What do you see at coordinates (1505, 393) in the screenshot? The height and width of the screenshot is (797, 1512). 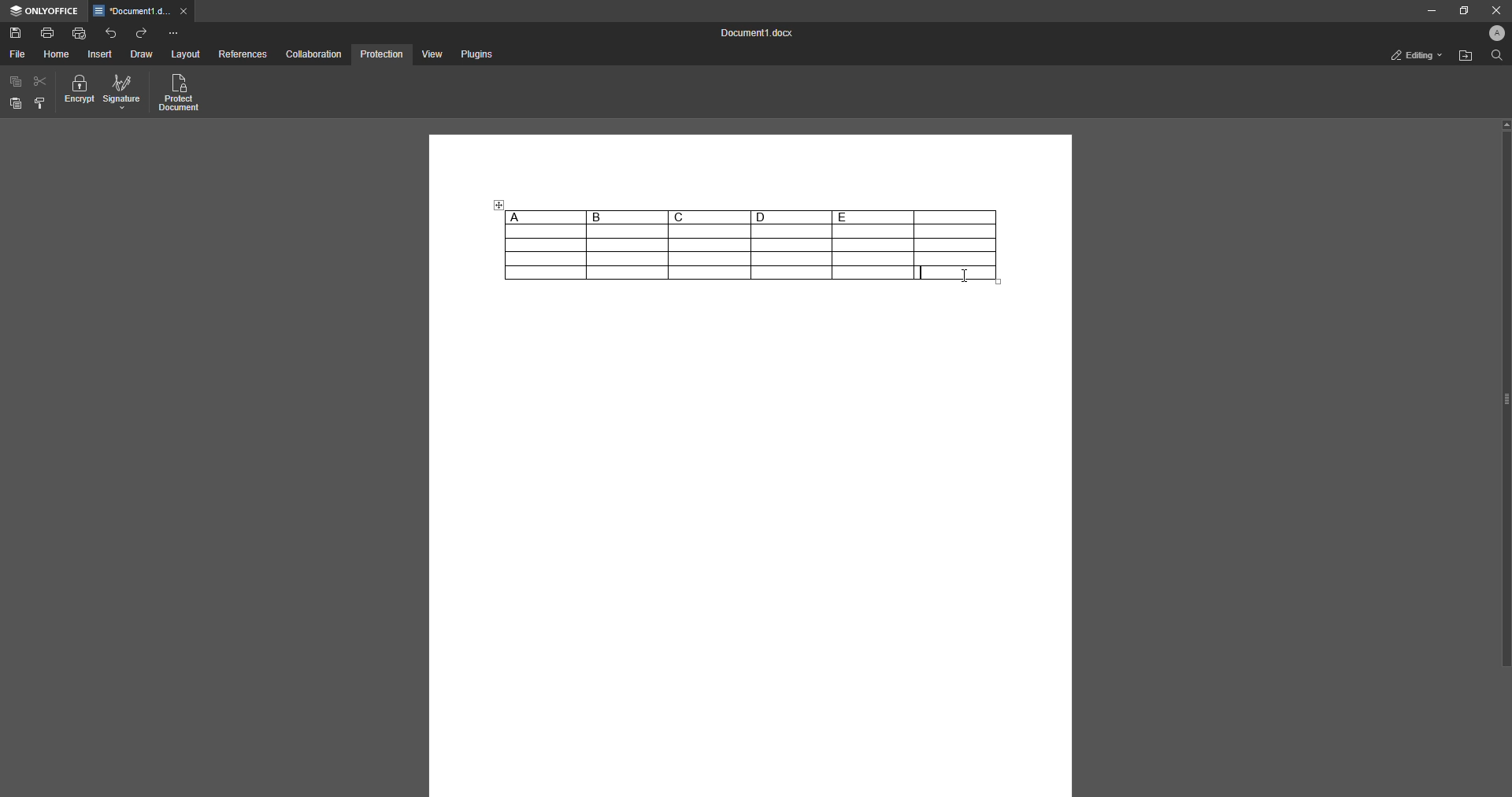 I see `vertical scrollbar` at bounding box center [1505, 393].